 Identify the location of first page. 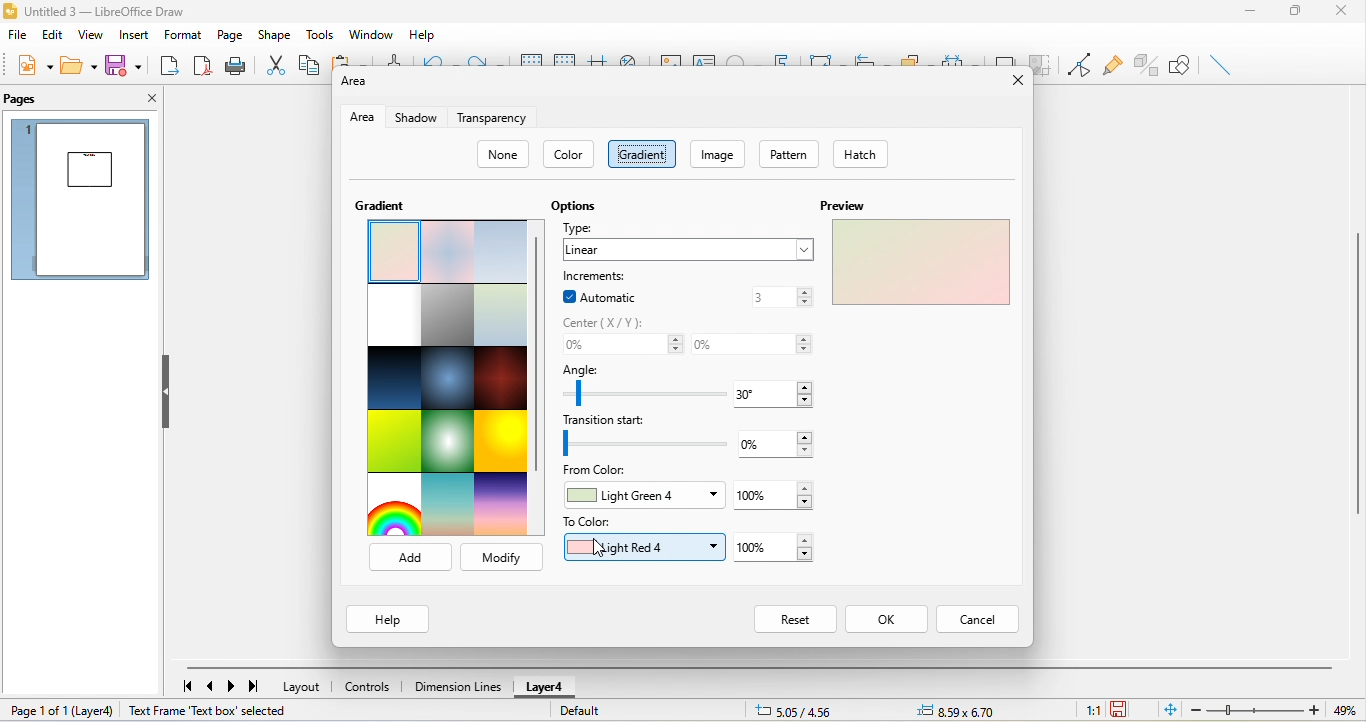
(185, 685).